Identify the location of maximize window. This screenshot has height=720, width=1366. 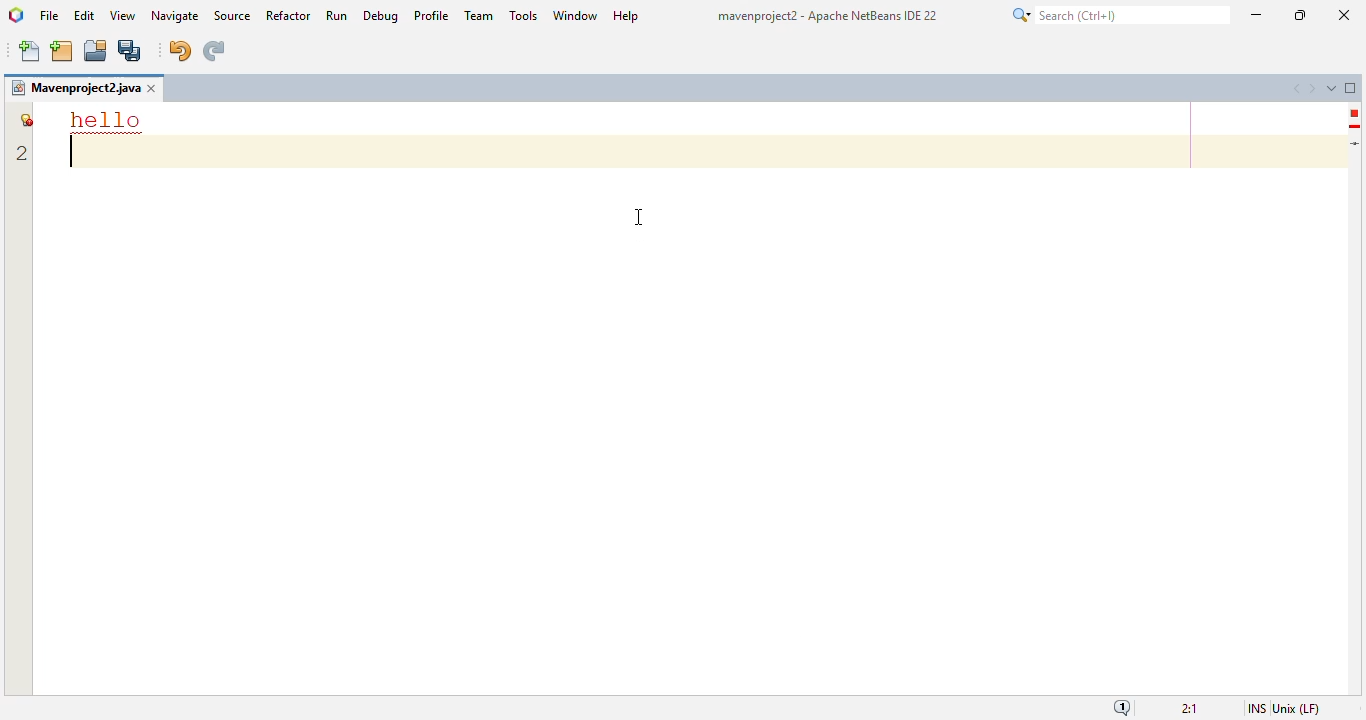
(1351, 87).